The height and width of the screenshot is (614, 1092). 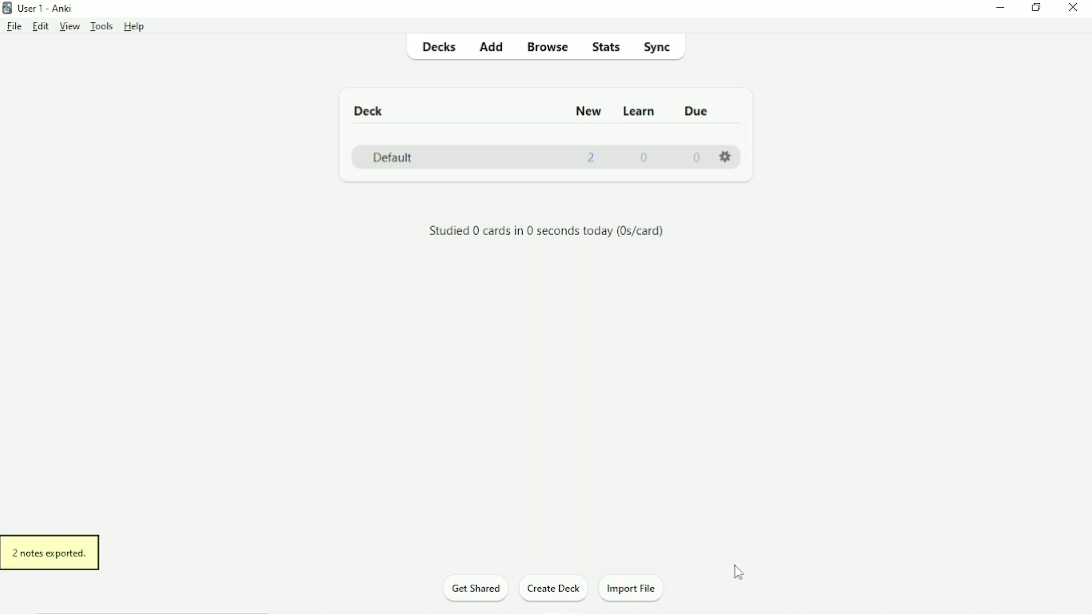 I want to click on 0, so click(x=643, y=159).